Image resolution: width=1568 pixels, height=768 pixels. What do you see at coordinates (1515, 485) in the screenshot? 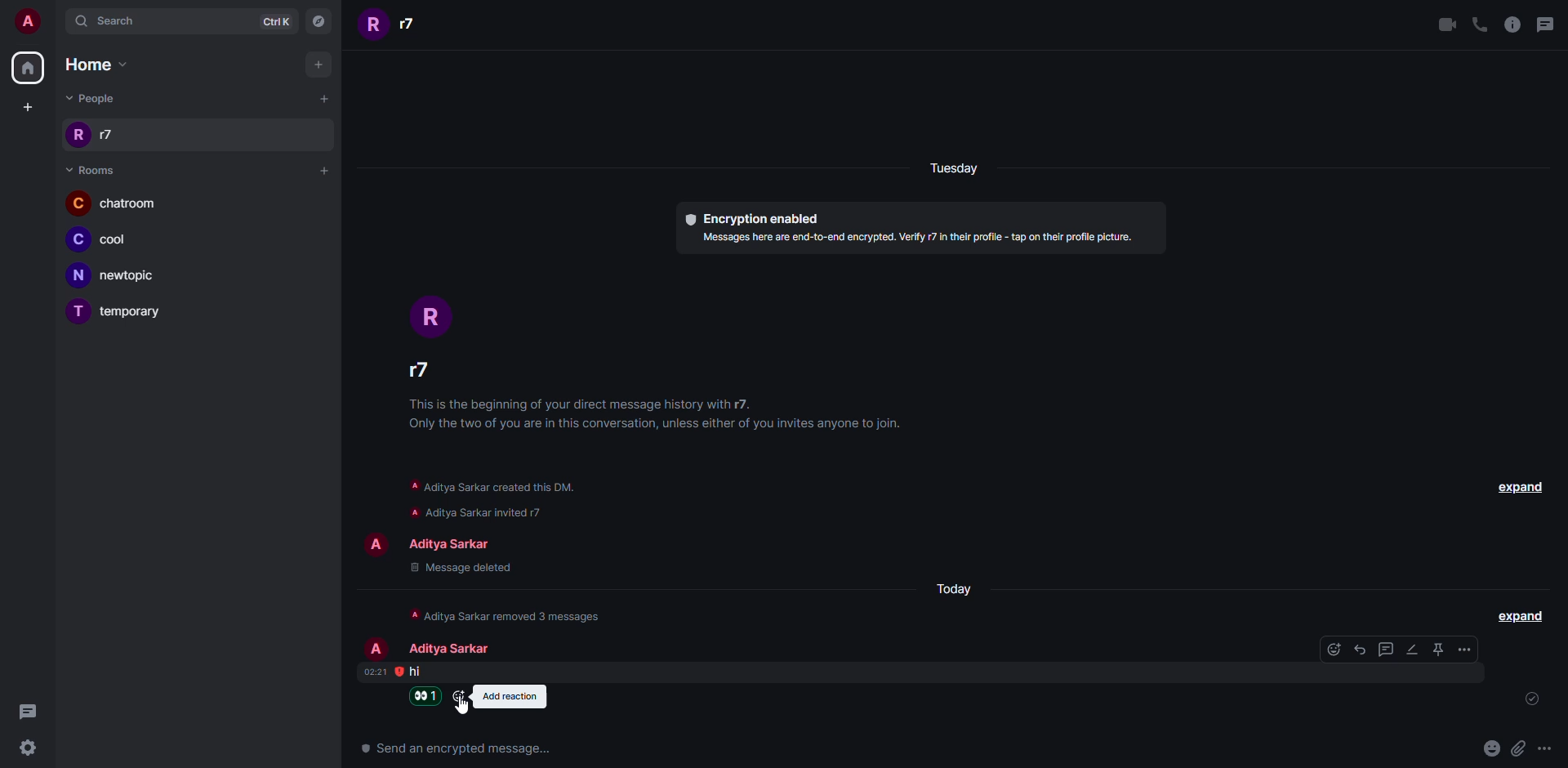
I see `expand` at bounding box center [1515, 485].